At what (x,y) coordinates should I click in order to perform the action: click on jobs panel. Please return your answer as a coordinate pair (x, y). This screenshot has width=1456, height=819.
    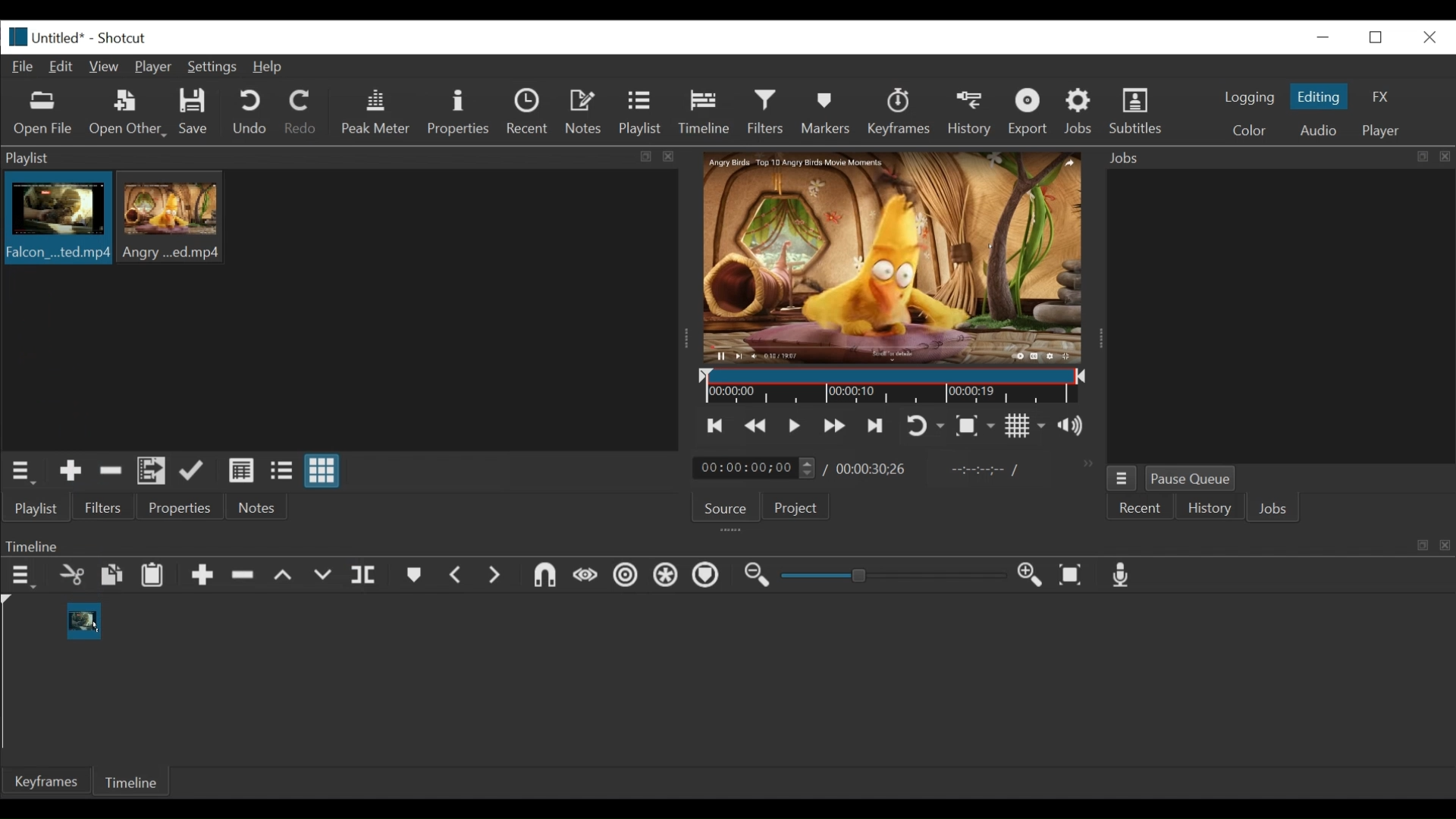
    Looking at the image, I should click on (1280, 315).